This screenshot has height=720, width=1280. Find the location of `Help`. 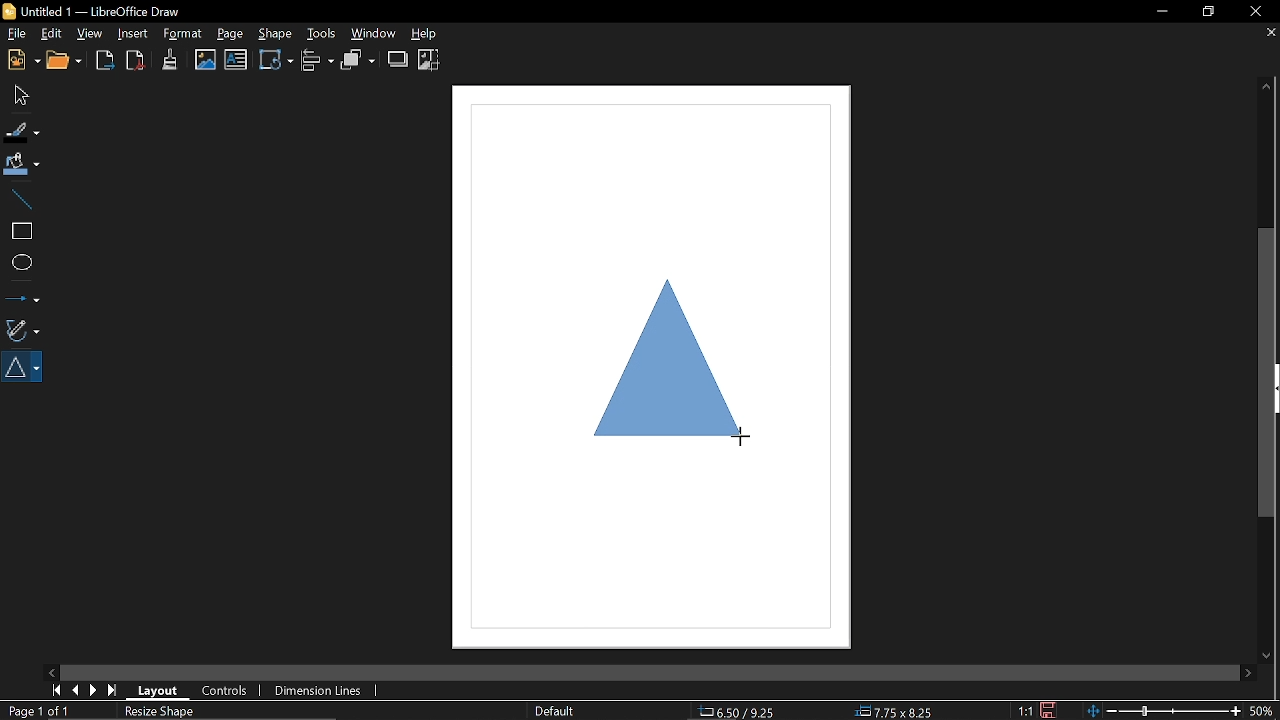

Help is located at coordinates (433, 33).